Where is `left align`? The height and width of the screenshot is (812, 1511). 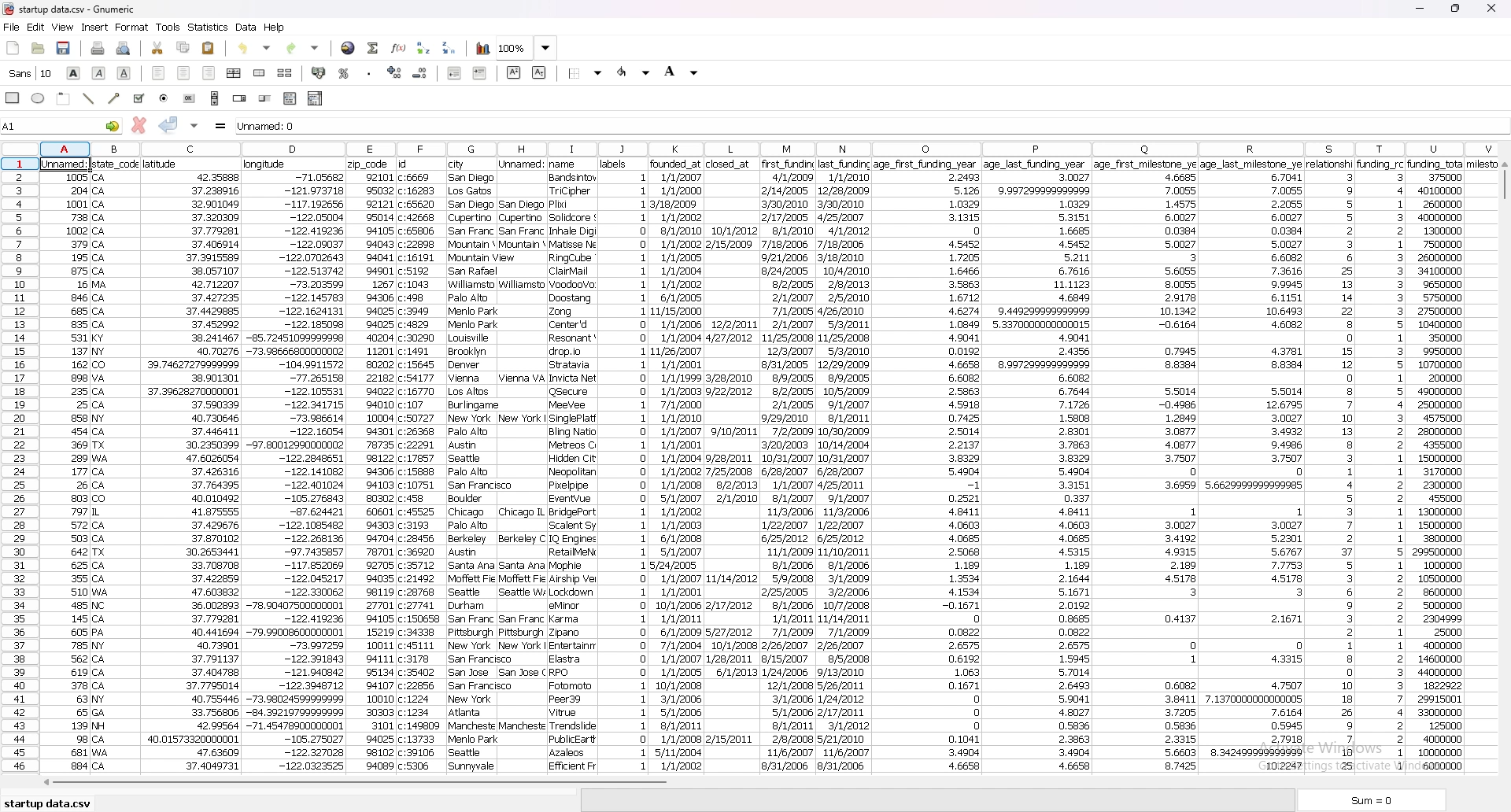 left align is located at coordinates (159, 73).